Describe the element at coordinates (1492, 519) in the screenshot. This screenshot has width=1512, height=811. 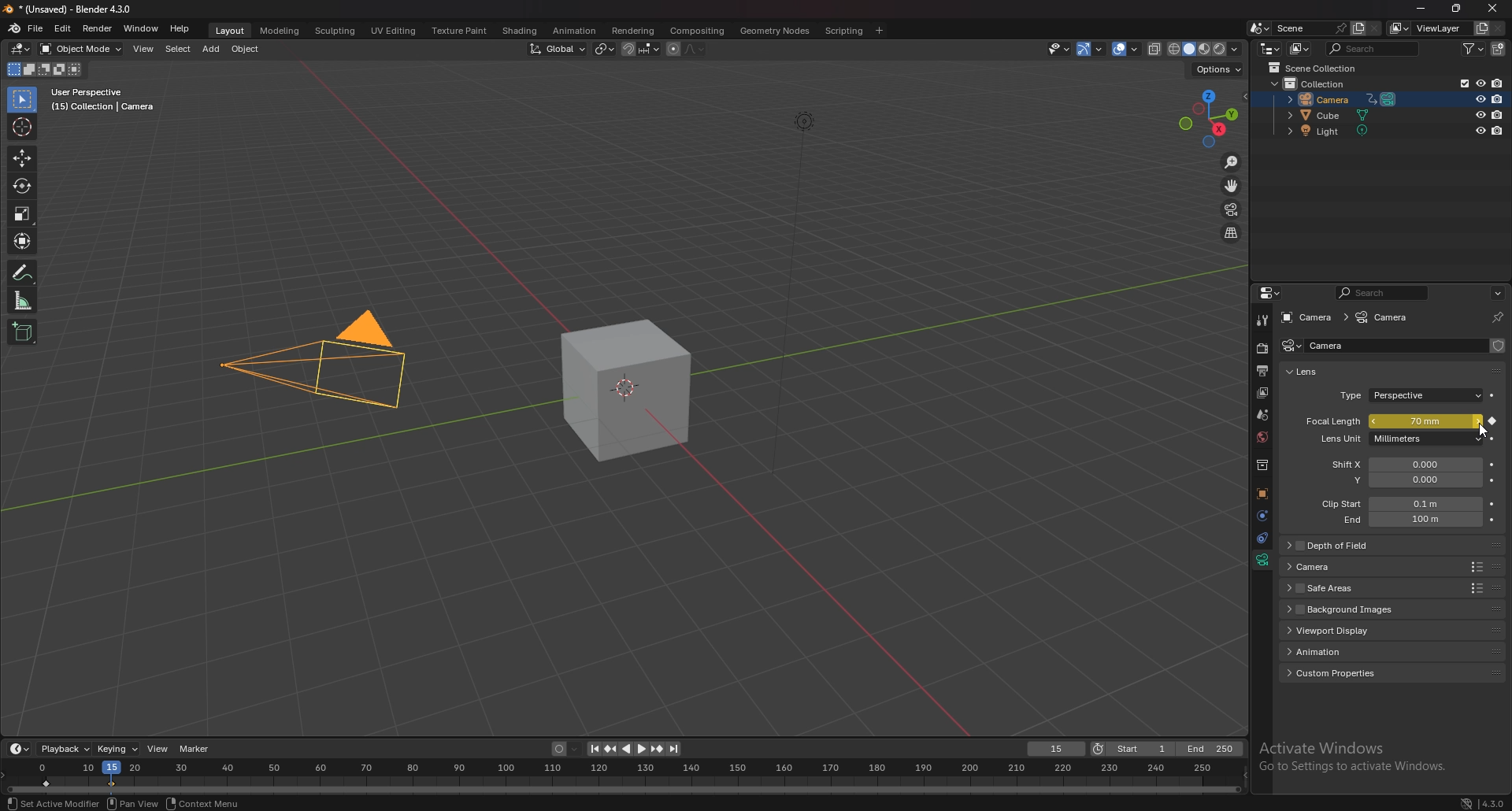
I see `animate property` at that location.